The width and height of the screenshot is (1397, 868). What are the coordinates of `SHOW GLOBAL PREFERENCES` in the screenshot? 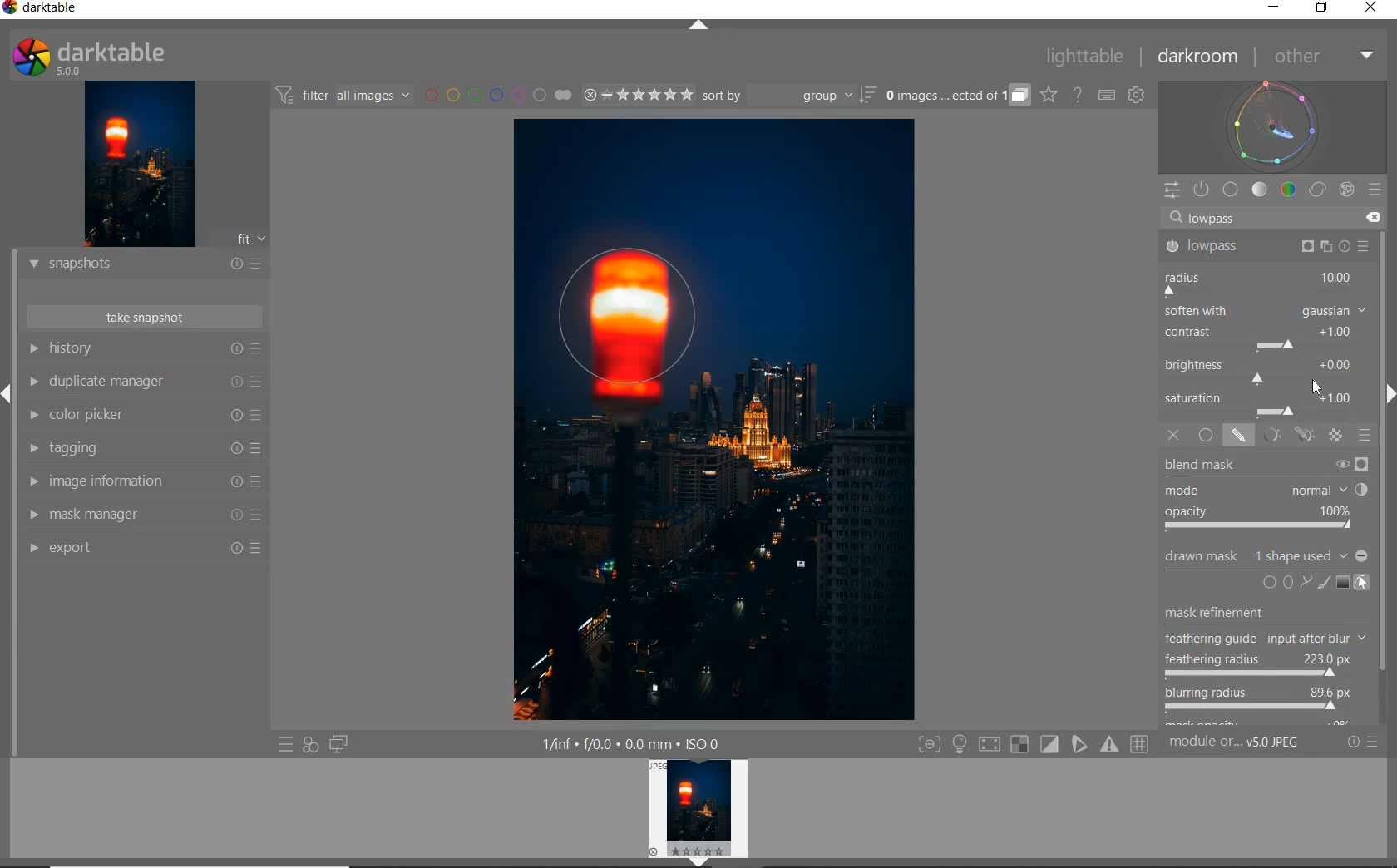 It's located at (1138, 96).